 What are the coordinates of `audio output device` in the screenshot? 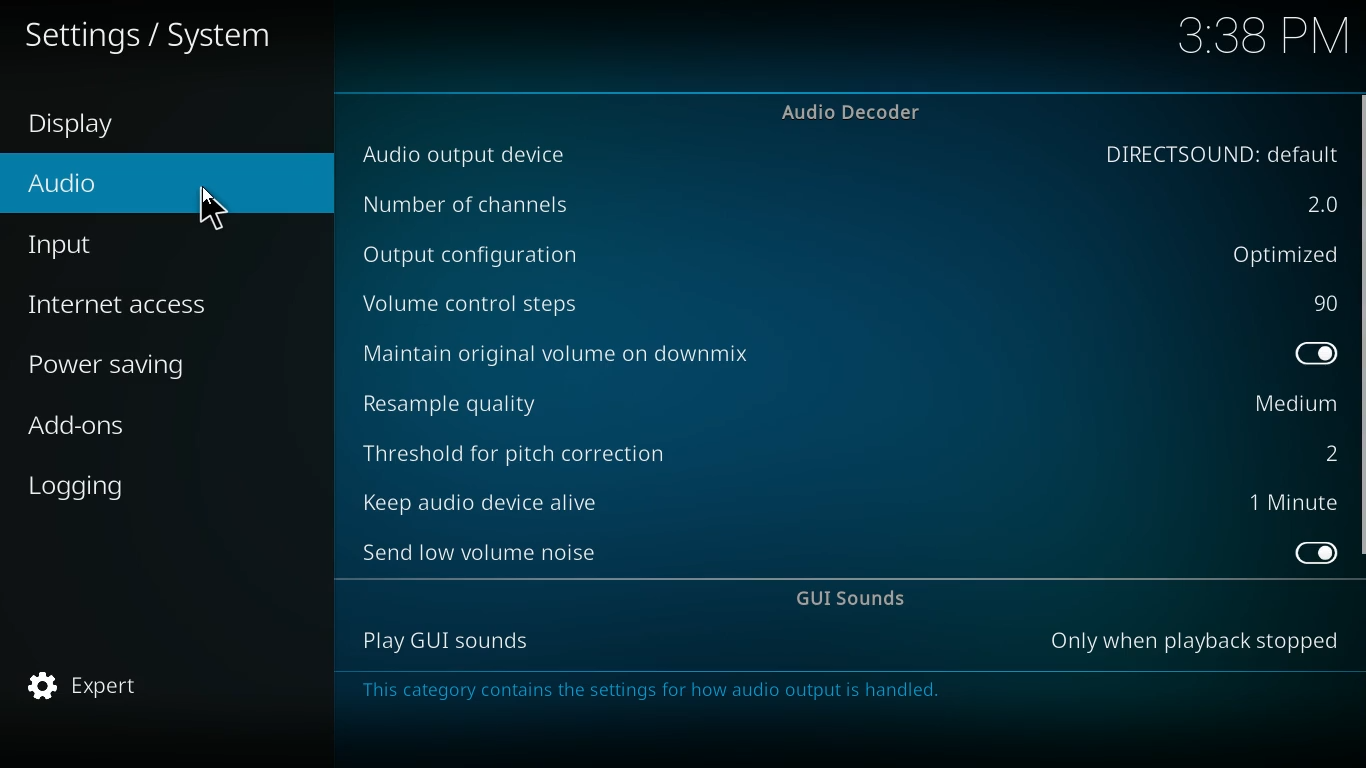 It's located at (464, 157).